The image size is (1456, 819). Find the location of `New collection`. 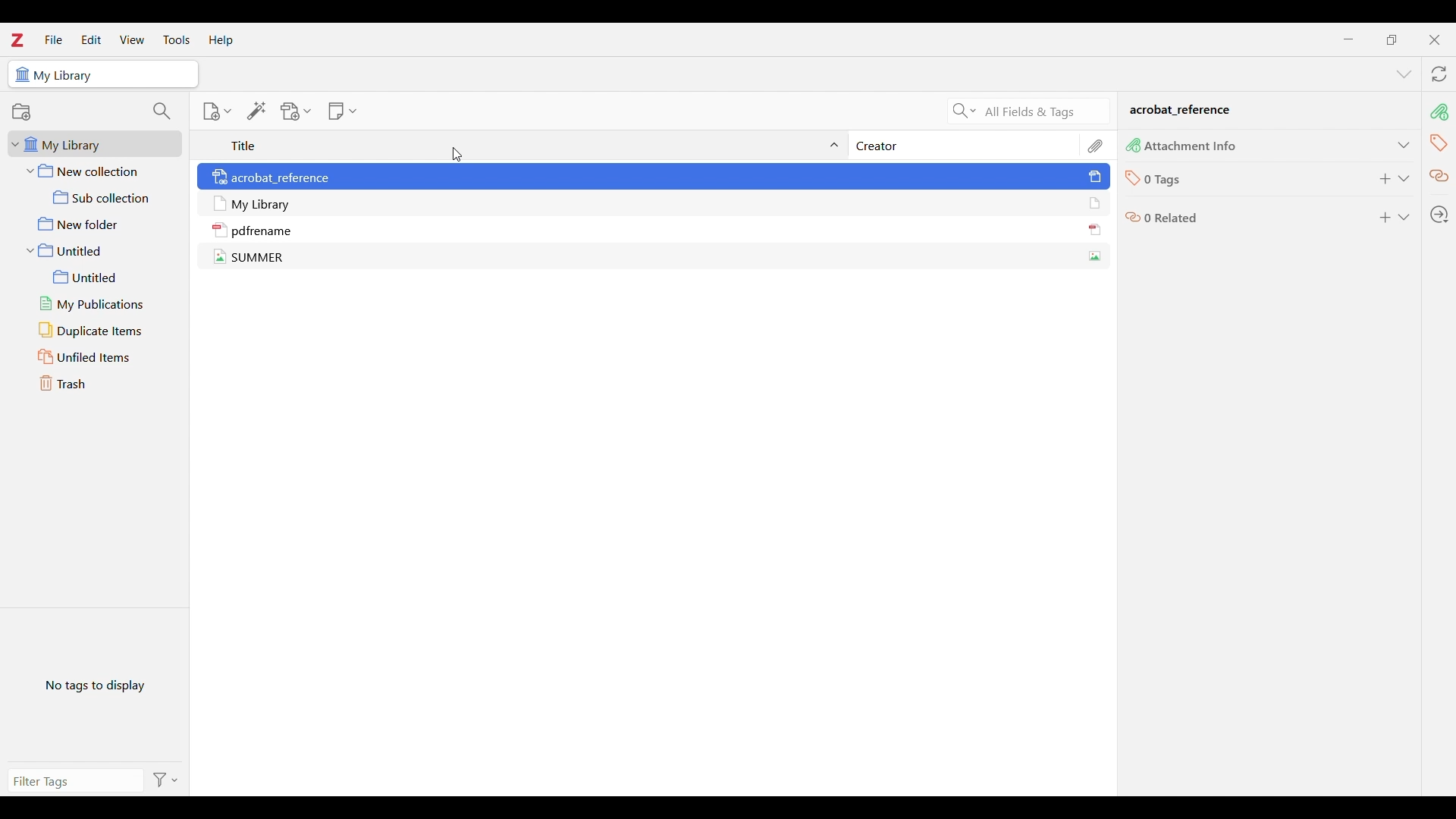

New collection is located at coordinates (96, 171).